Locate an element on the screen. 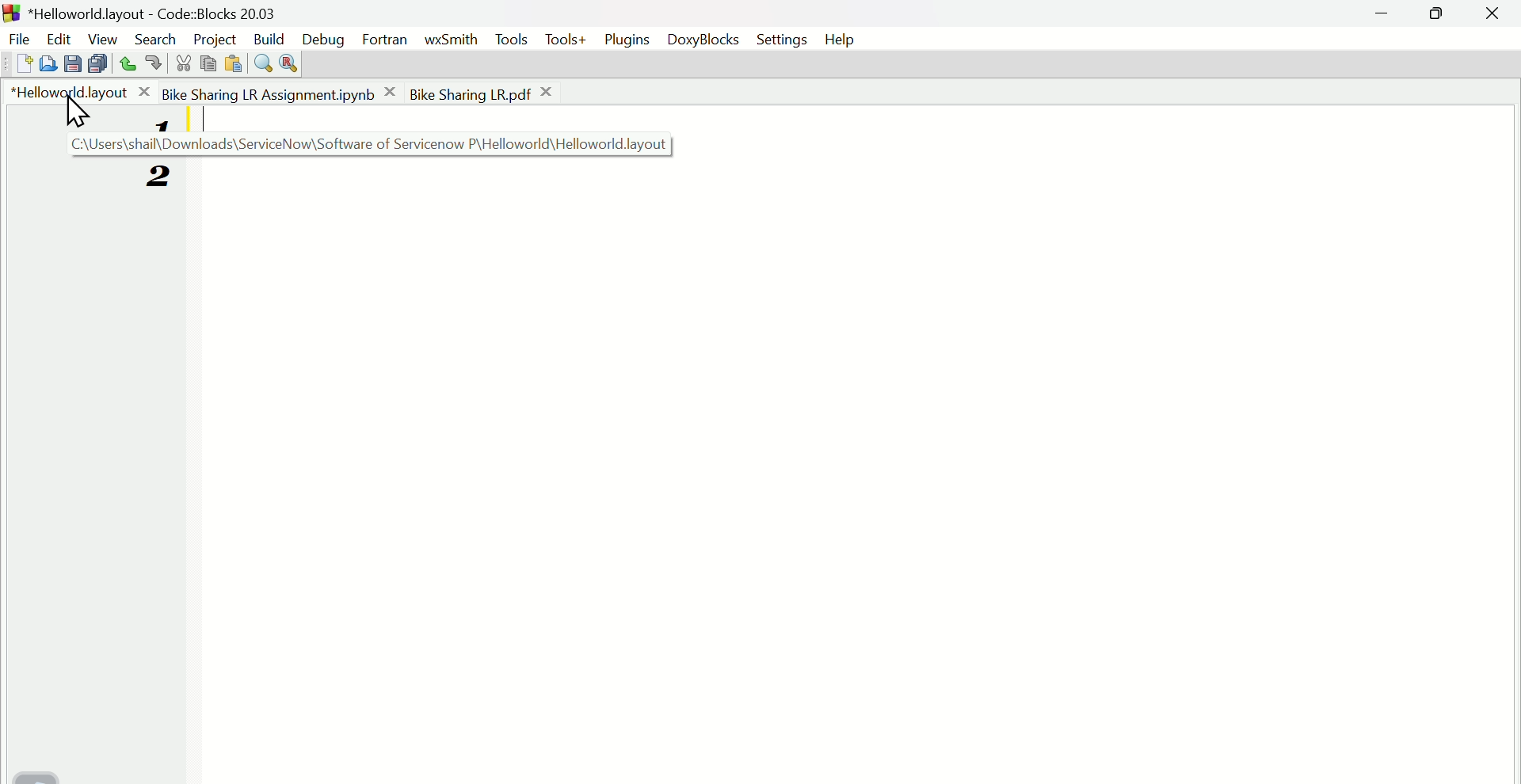 This screenshot has height=784, width=1521. Doxyblocks is located at coordinates (709, 41).